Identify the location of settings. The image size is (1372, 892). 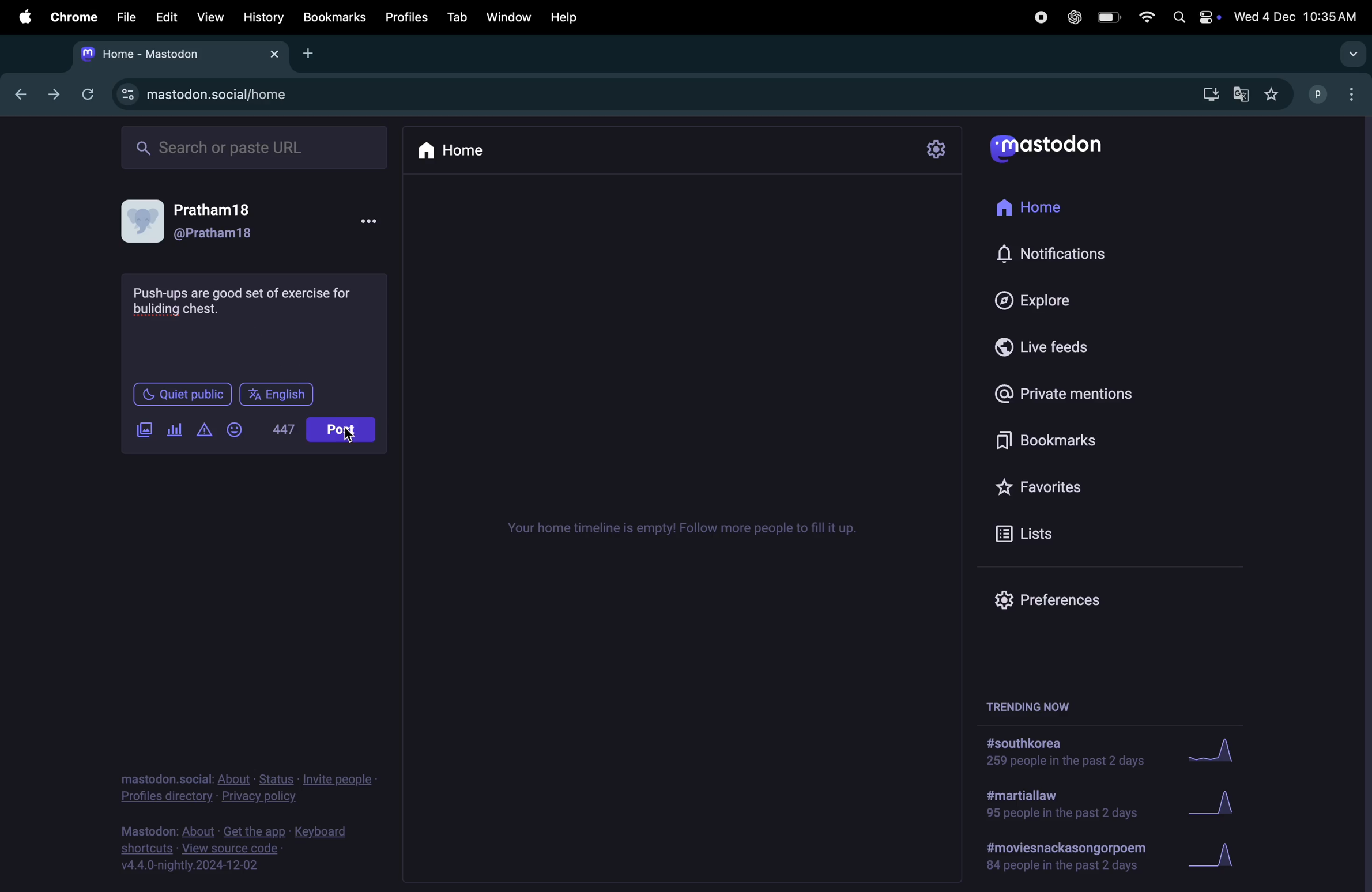
(939, 149).